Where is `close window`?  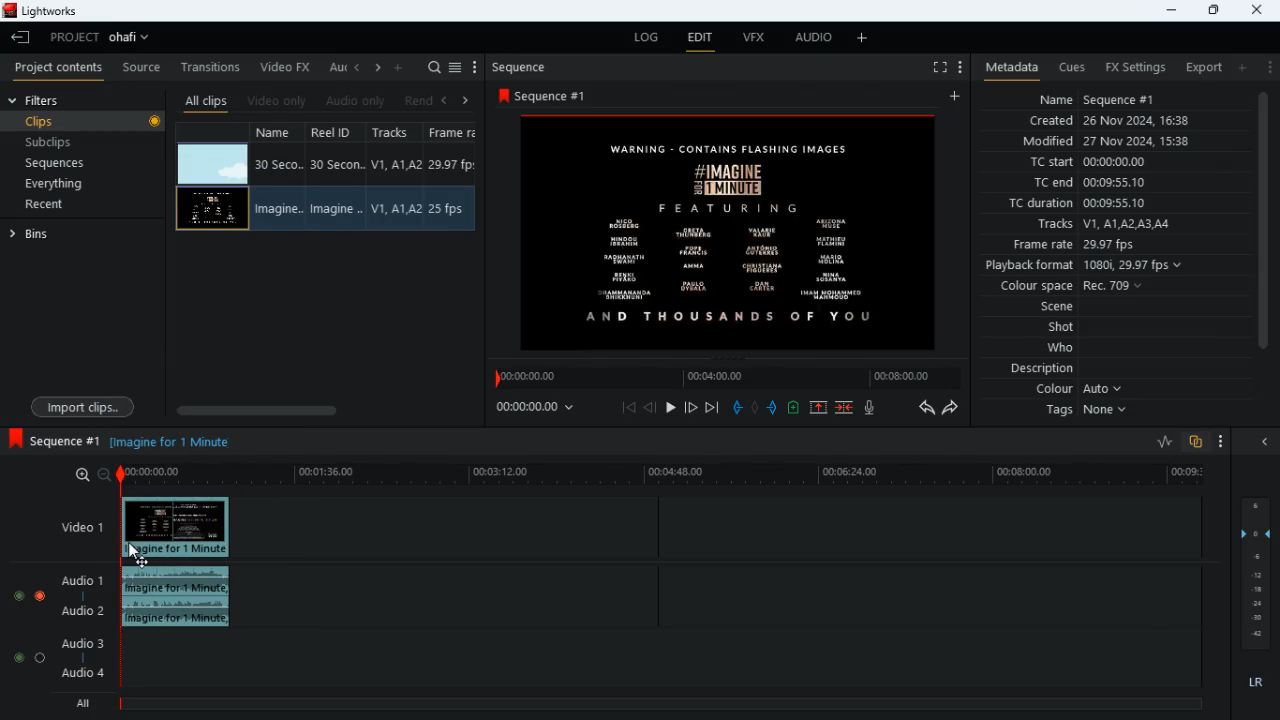 close window is located at coordinates (1258, 12).